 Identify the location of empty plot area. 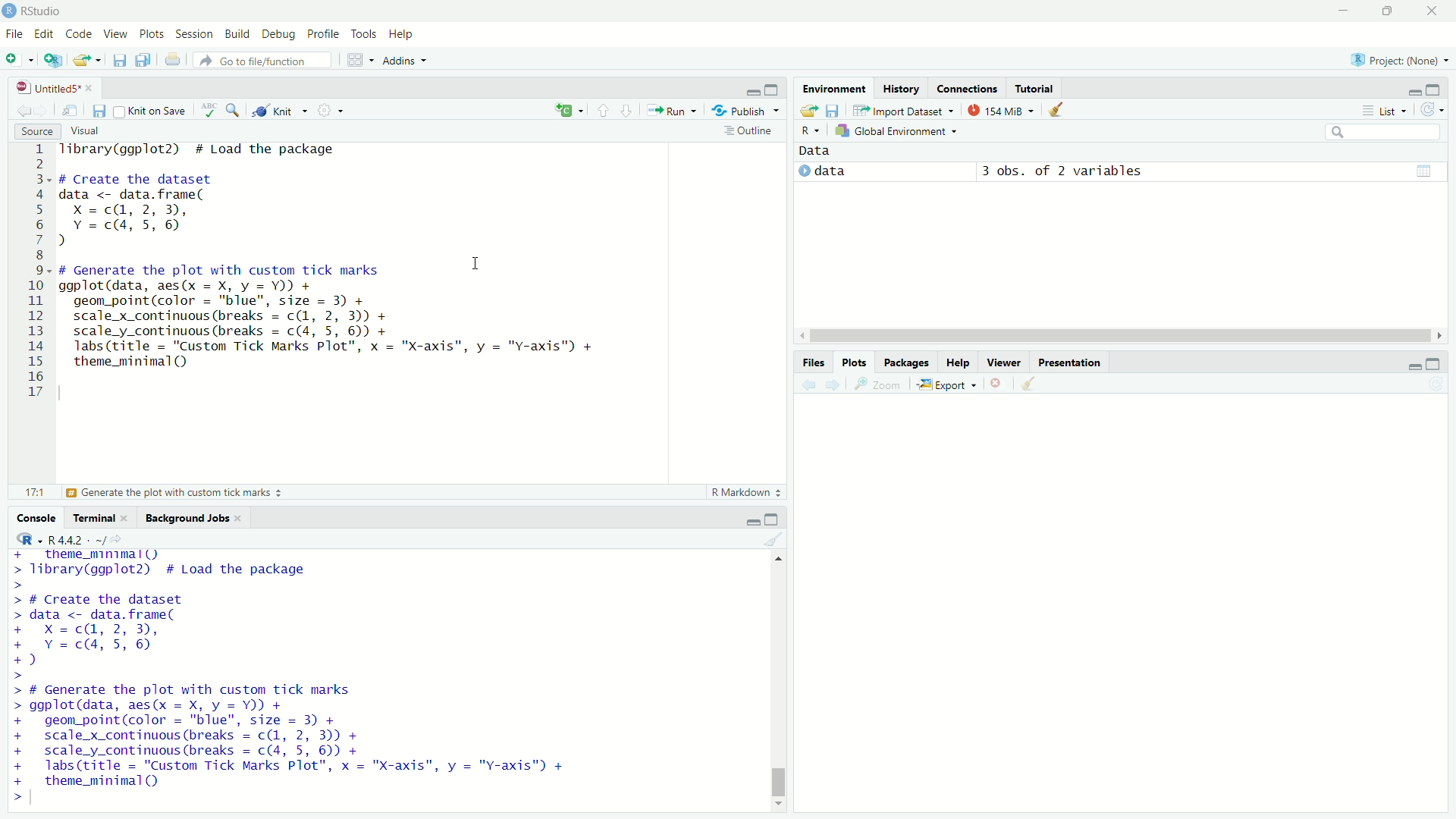
(1132, 595).